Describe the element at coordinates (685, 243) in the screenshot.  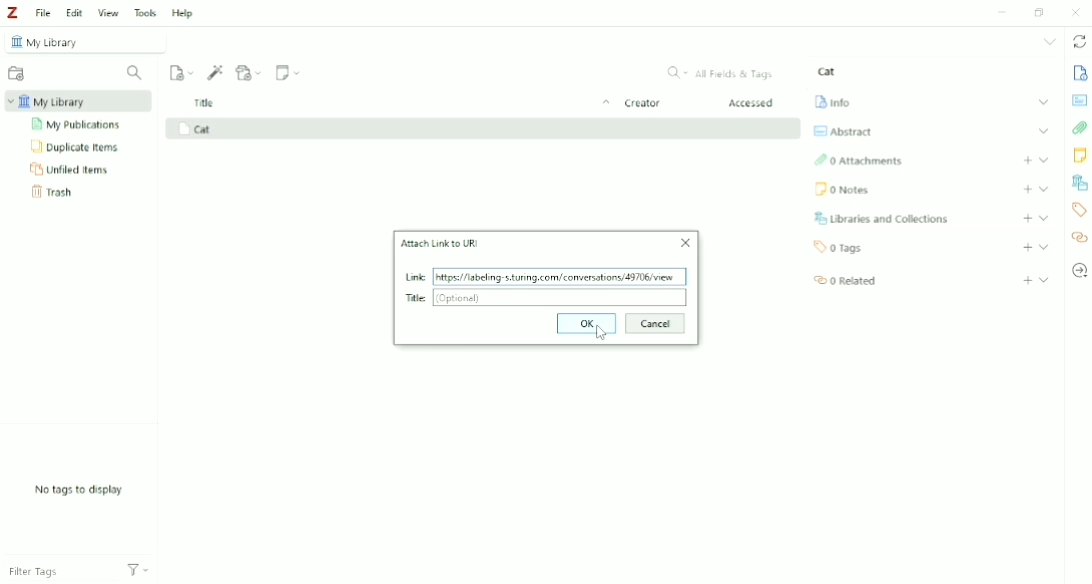
I see `Close` at that location.